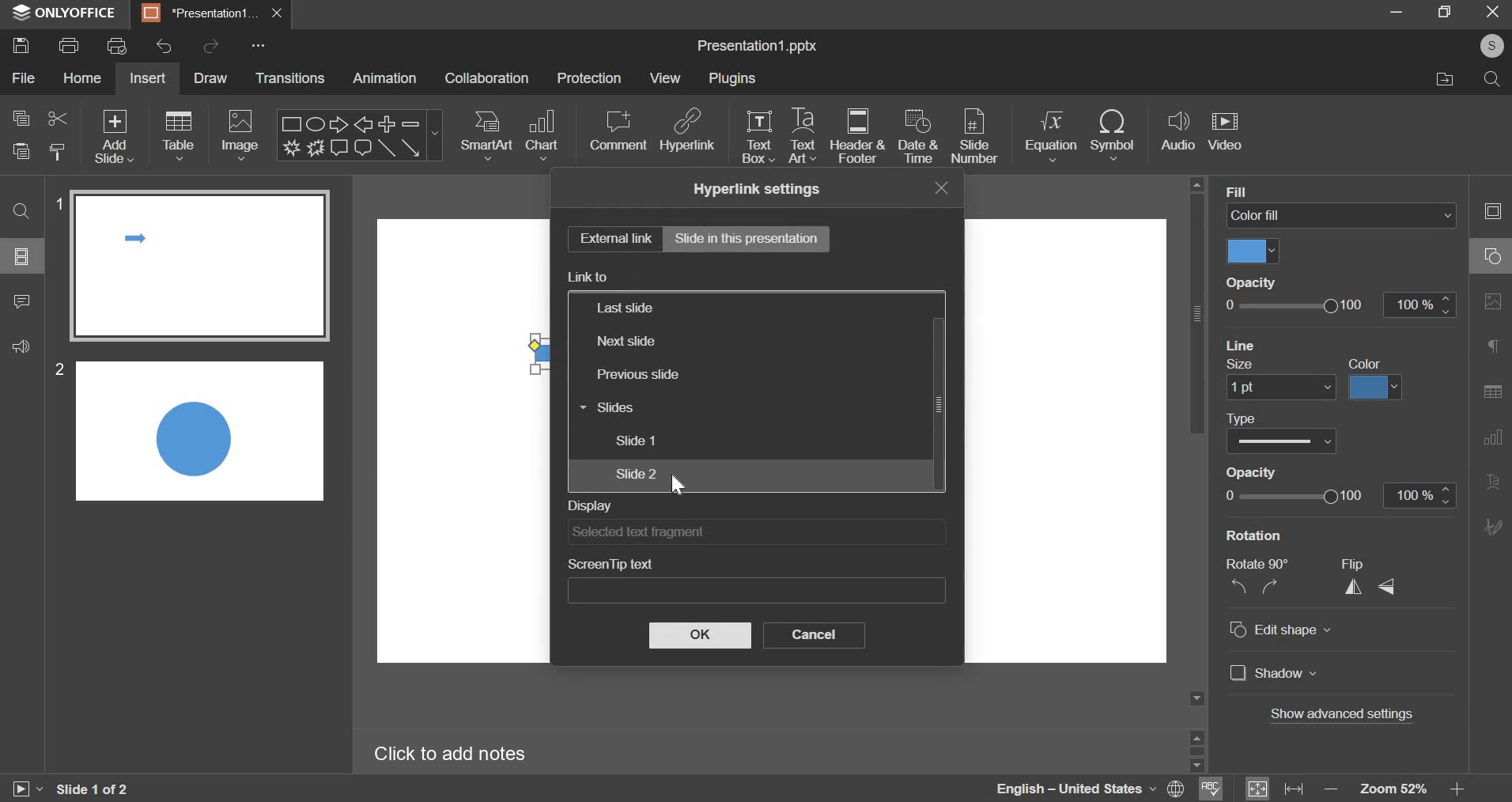  What do you see at coordinates (1341, 216) in the screenshot?
I see `color fill` at bounding box center [1341, 216].